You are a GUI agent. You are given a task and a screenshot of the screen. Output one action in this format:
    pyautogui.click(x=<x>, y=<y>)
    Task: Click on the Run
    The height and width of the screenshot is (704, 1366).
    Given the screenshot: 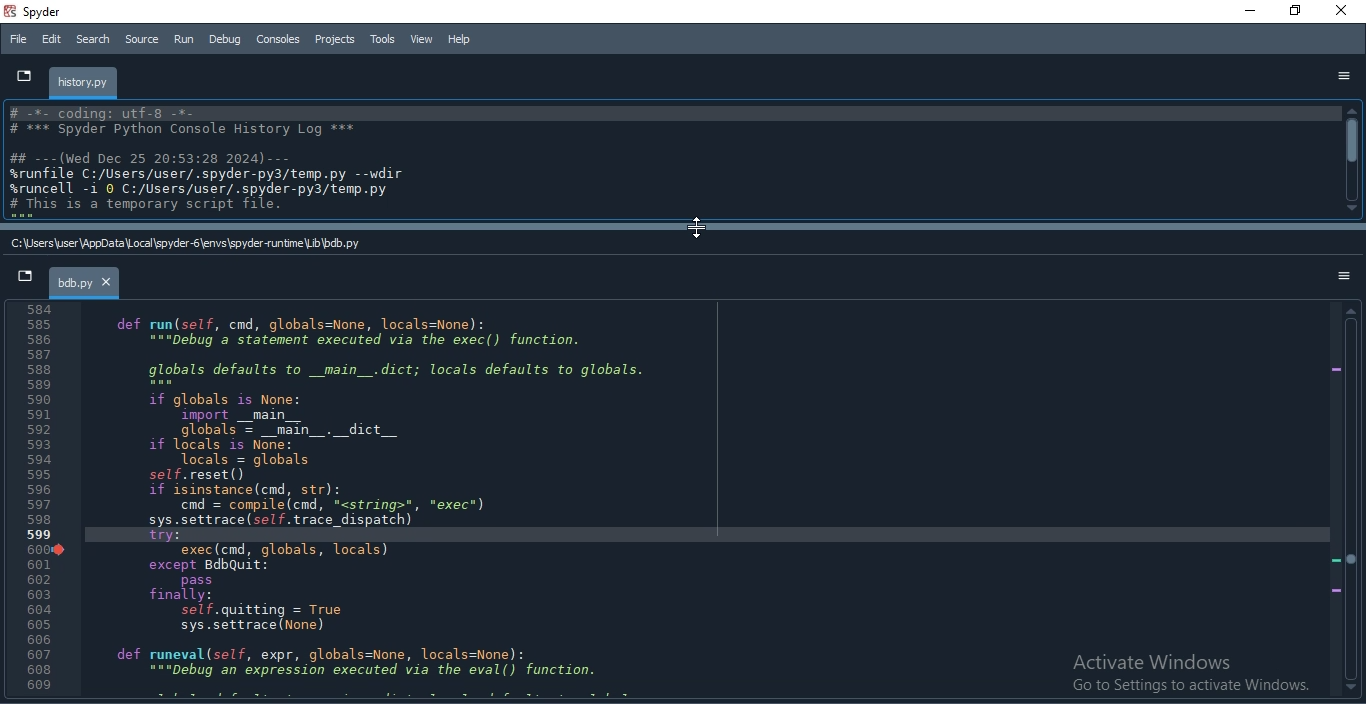 What is the action you would take?
    pyautogui.click(x=183, y=39)
    